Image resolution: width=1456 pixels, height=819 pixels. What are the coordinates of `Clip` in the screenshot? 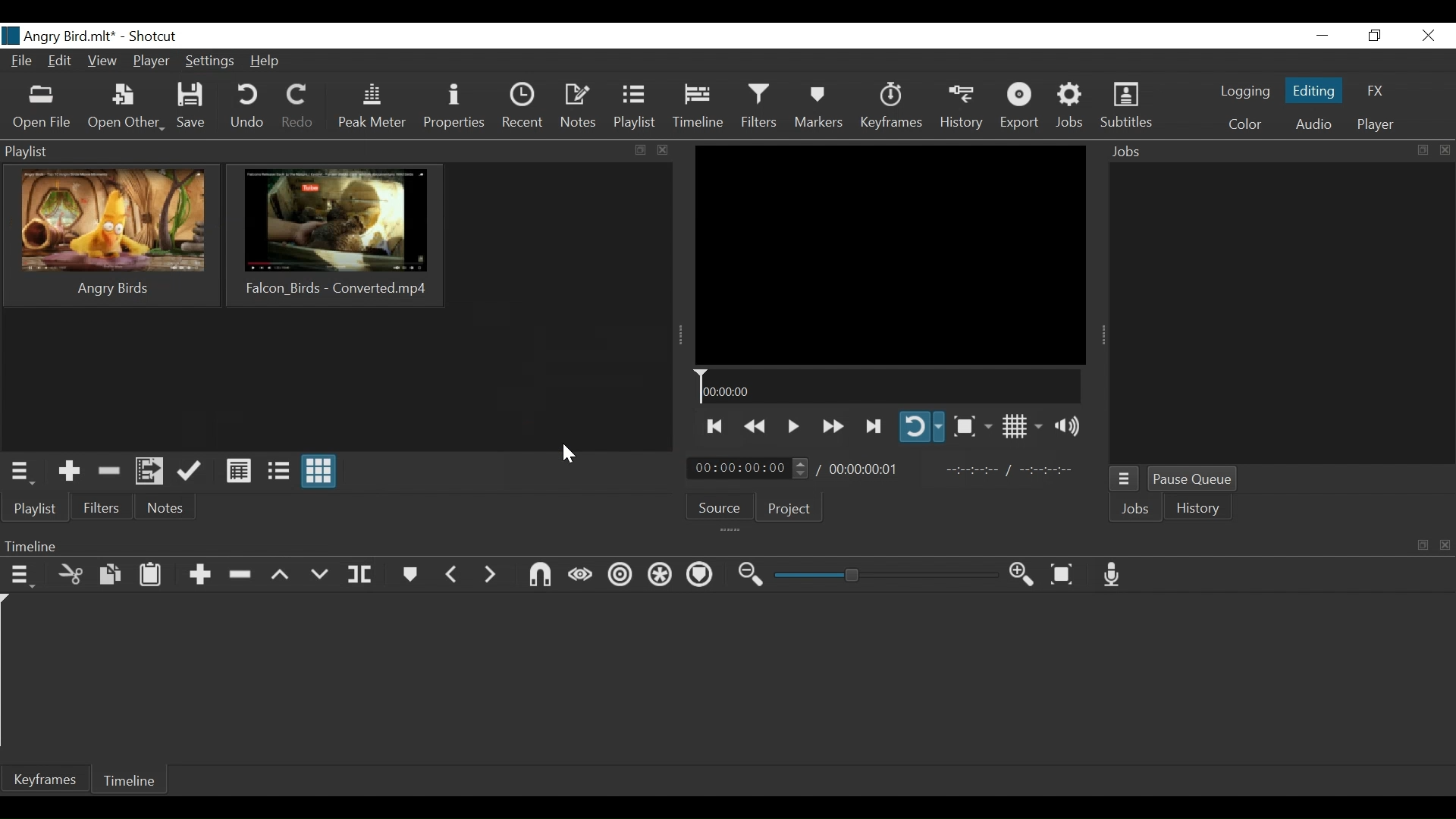 It's located at (335, 235).